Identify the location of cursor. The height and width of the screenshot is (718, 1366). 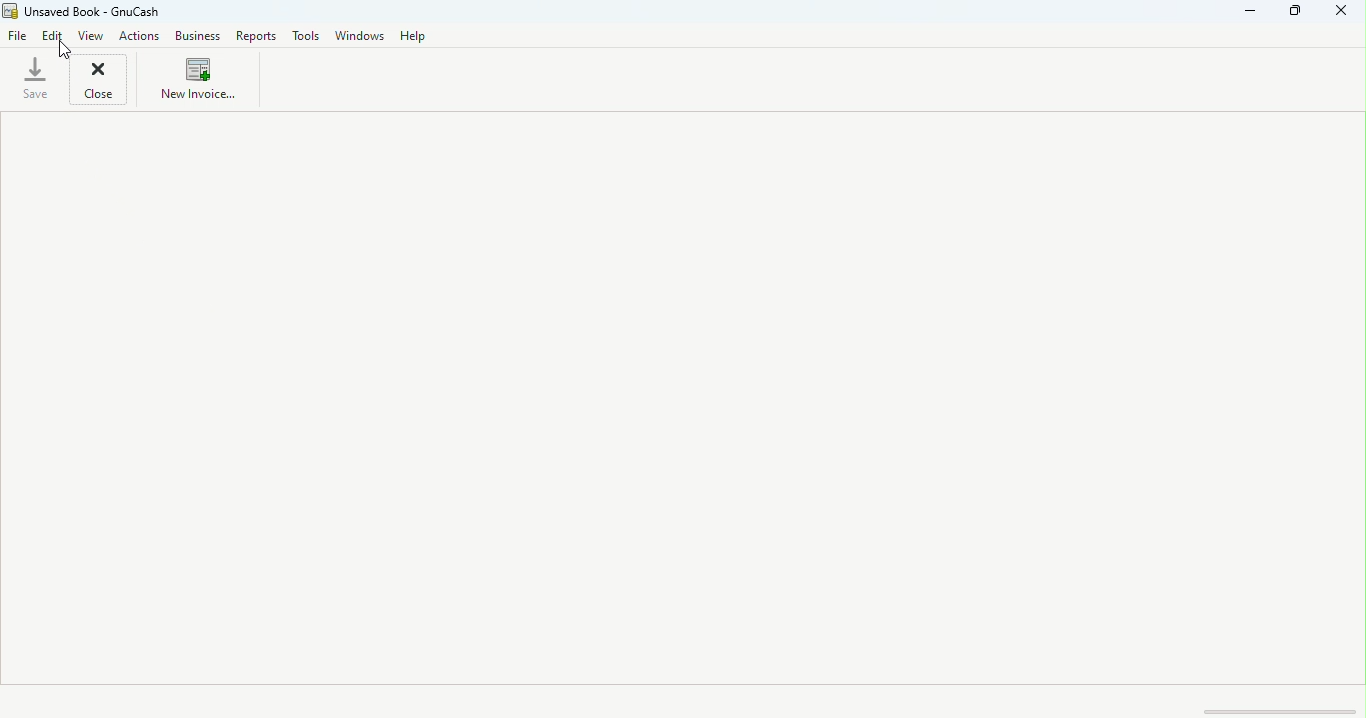
(63, 53).